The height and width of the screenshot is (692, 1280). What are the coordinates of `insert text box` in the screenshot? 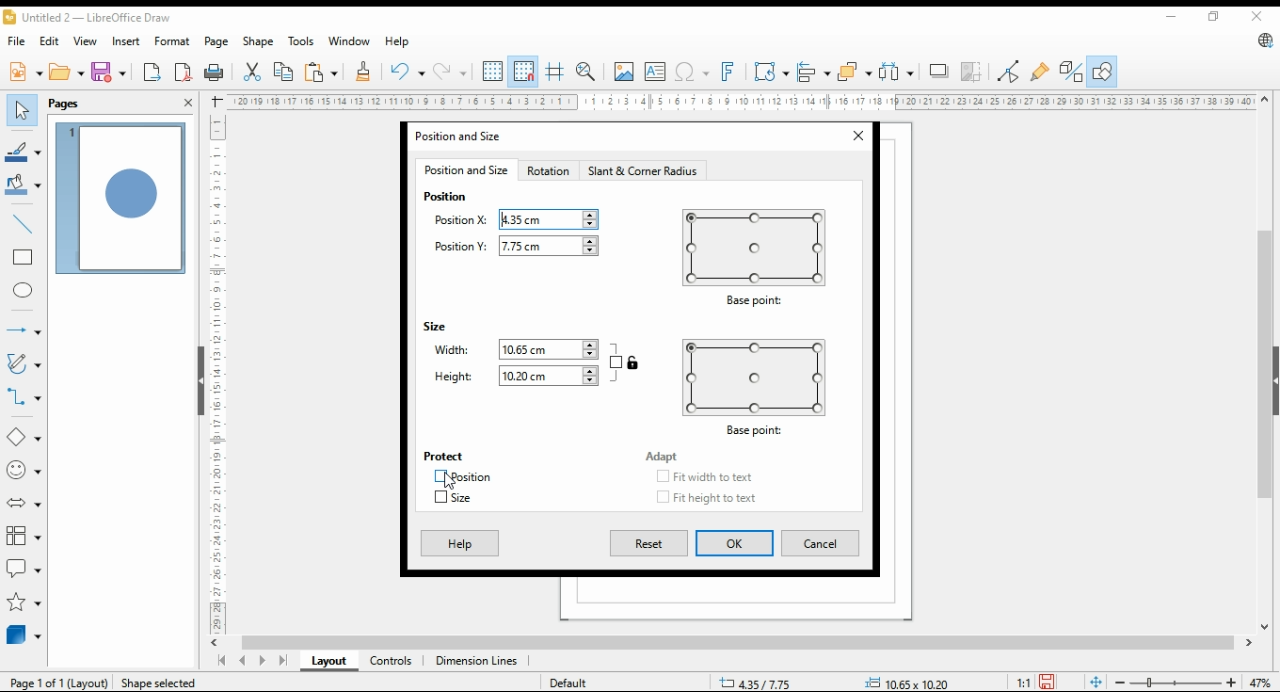 It's located at (654, 72).